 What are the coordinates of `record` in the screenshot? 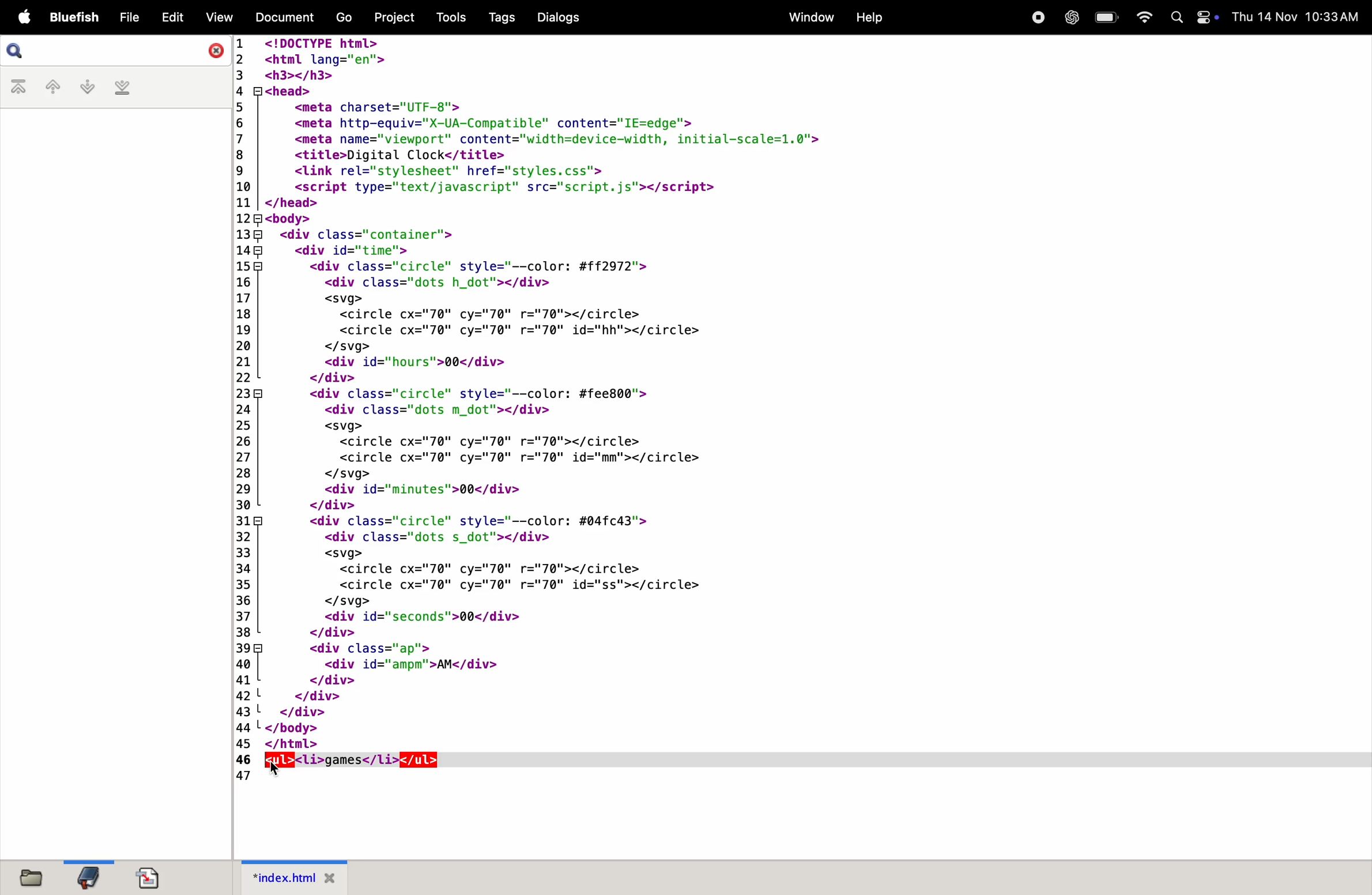 It's located at (1037, 18).